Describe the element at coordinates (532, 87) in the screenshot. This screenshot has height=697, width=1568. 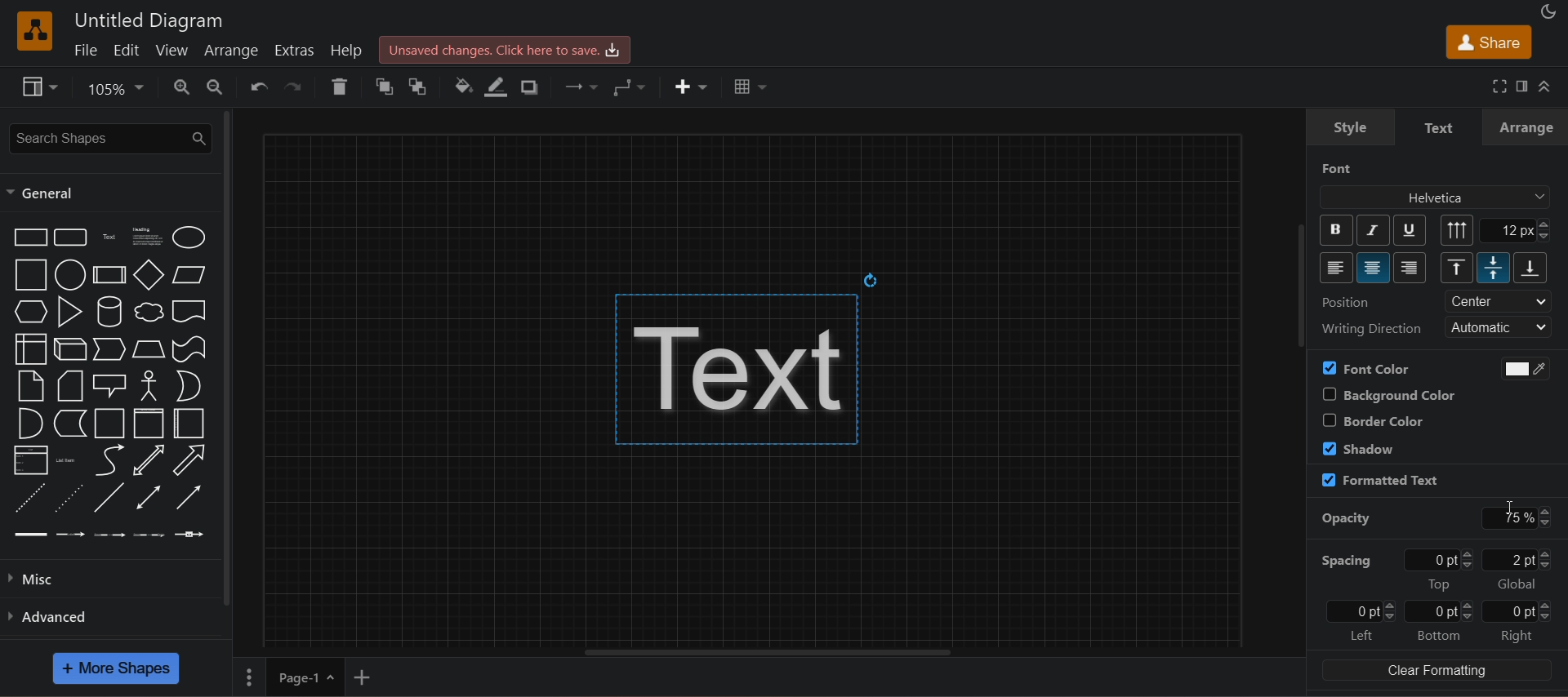
I see `shadow` at that location.